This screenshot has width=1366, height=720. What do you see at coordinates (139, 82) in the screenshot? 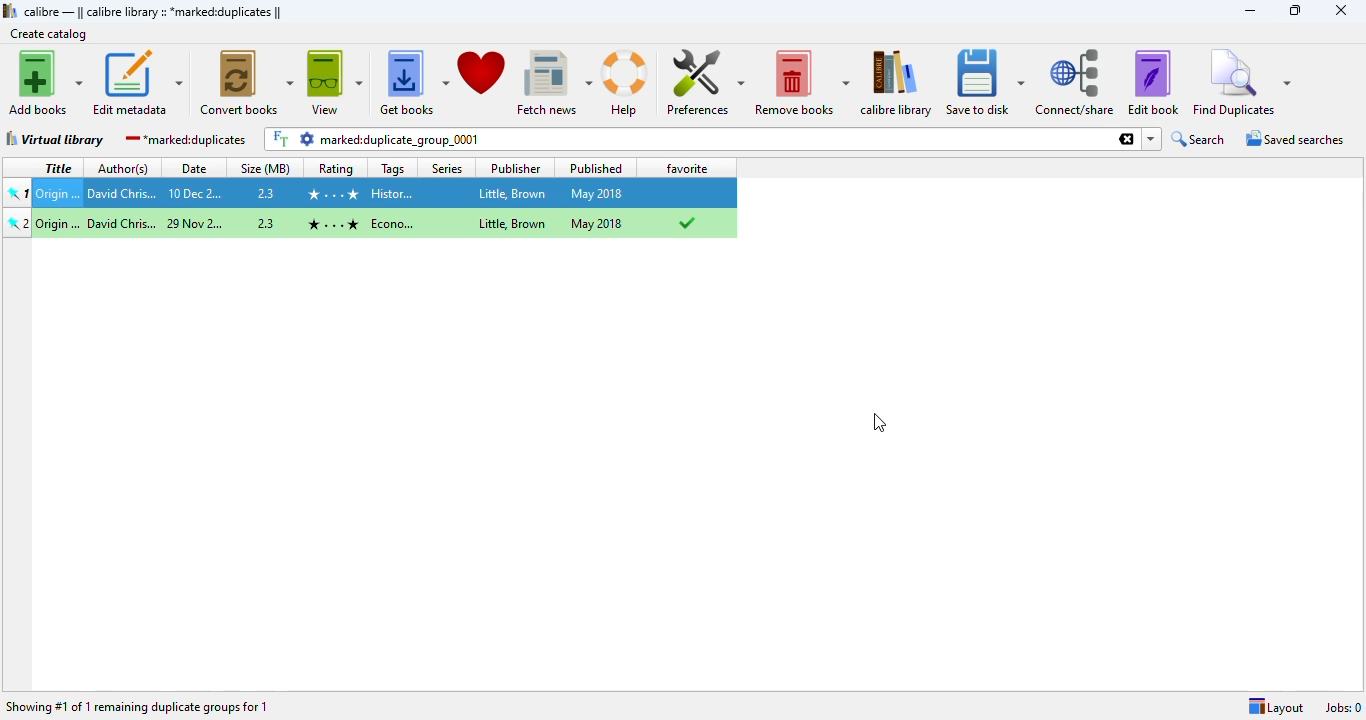
I see `edit metadata` at bounding box center [139, 82].